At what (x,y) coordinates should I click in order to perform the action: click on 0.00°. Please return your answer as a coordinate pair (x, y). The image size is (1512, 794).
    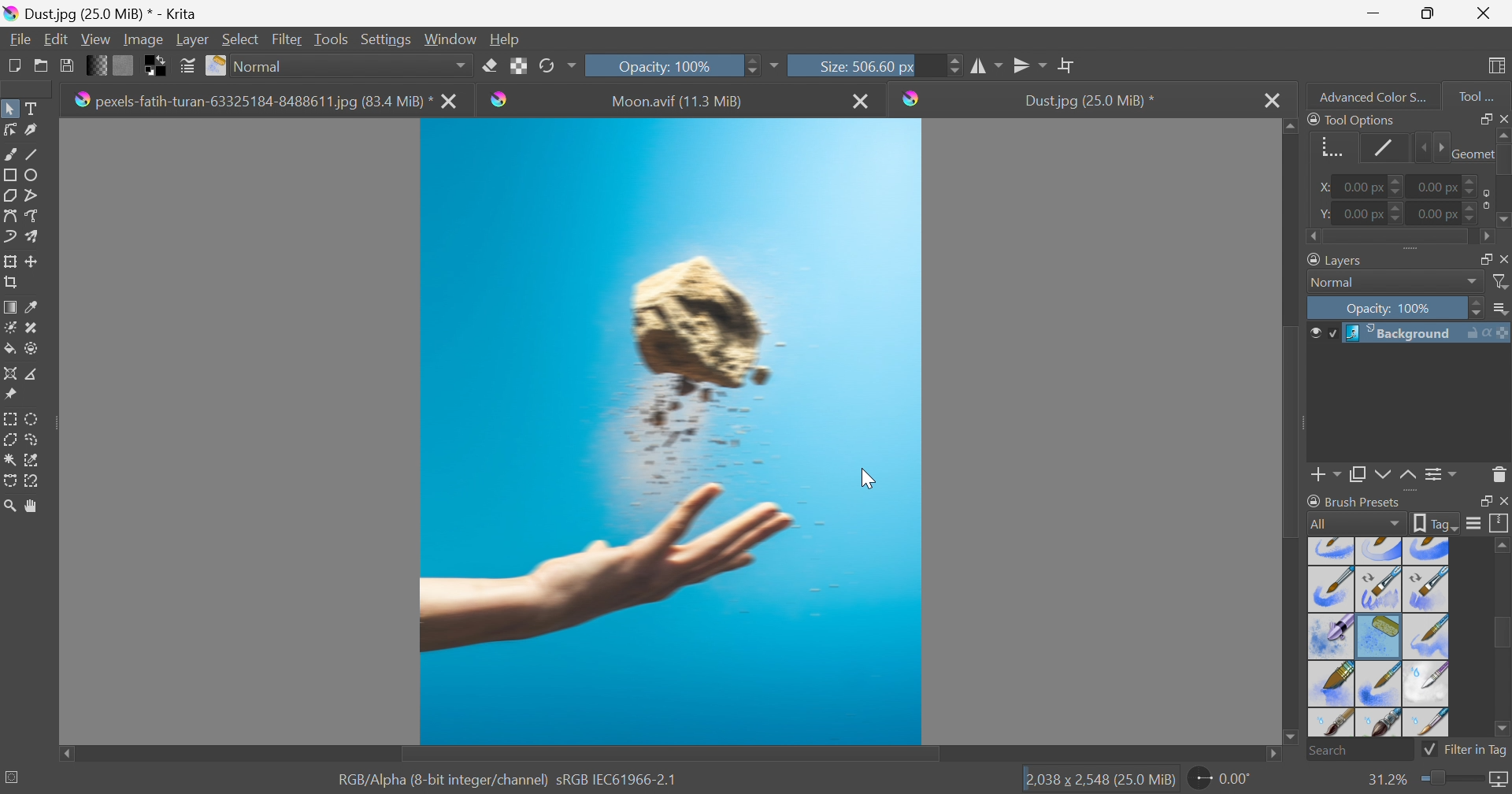
    Looking at the image, I should click on (1221, 781).